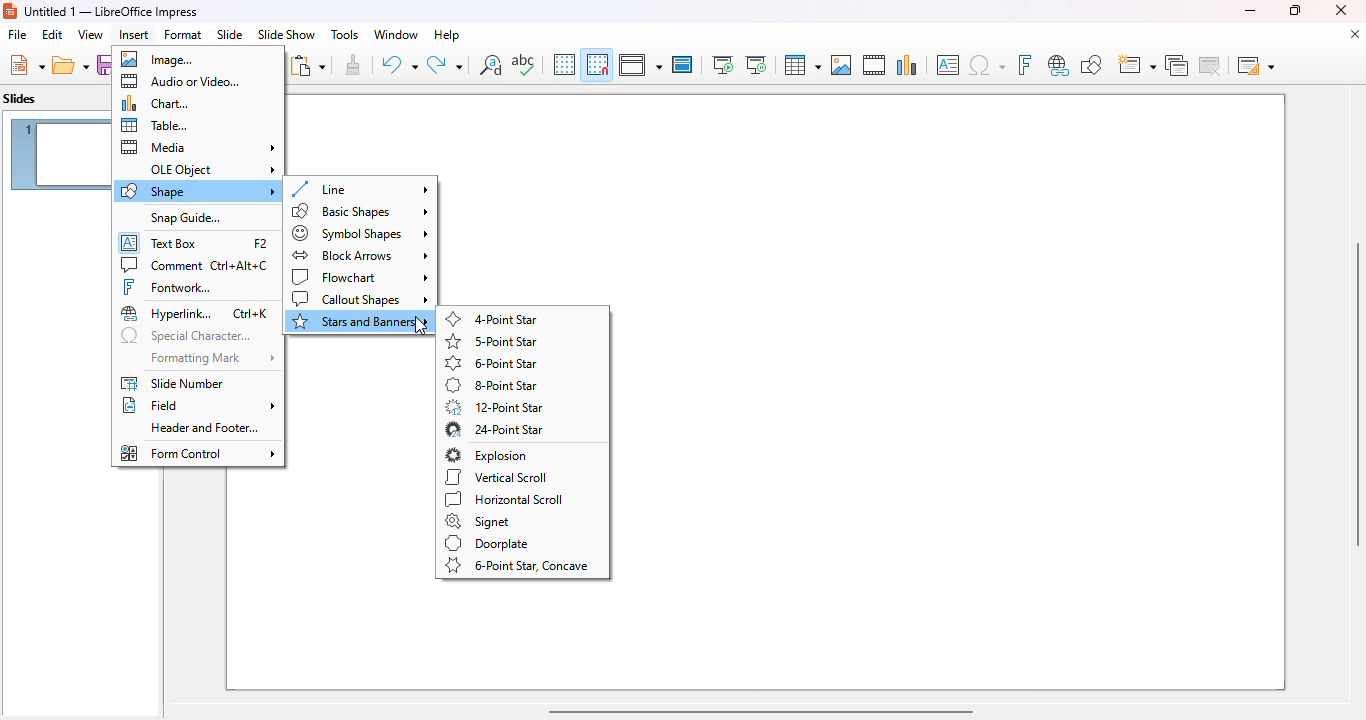 This screenshot has height=720, width=1366. What do you see at coordinates (841, 65) in the screenshot?
I see `insert image` at bounding box center [841, 65].